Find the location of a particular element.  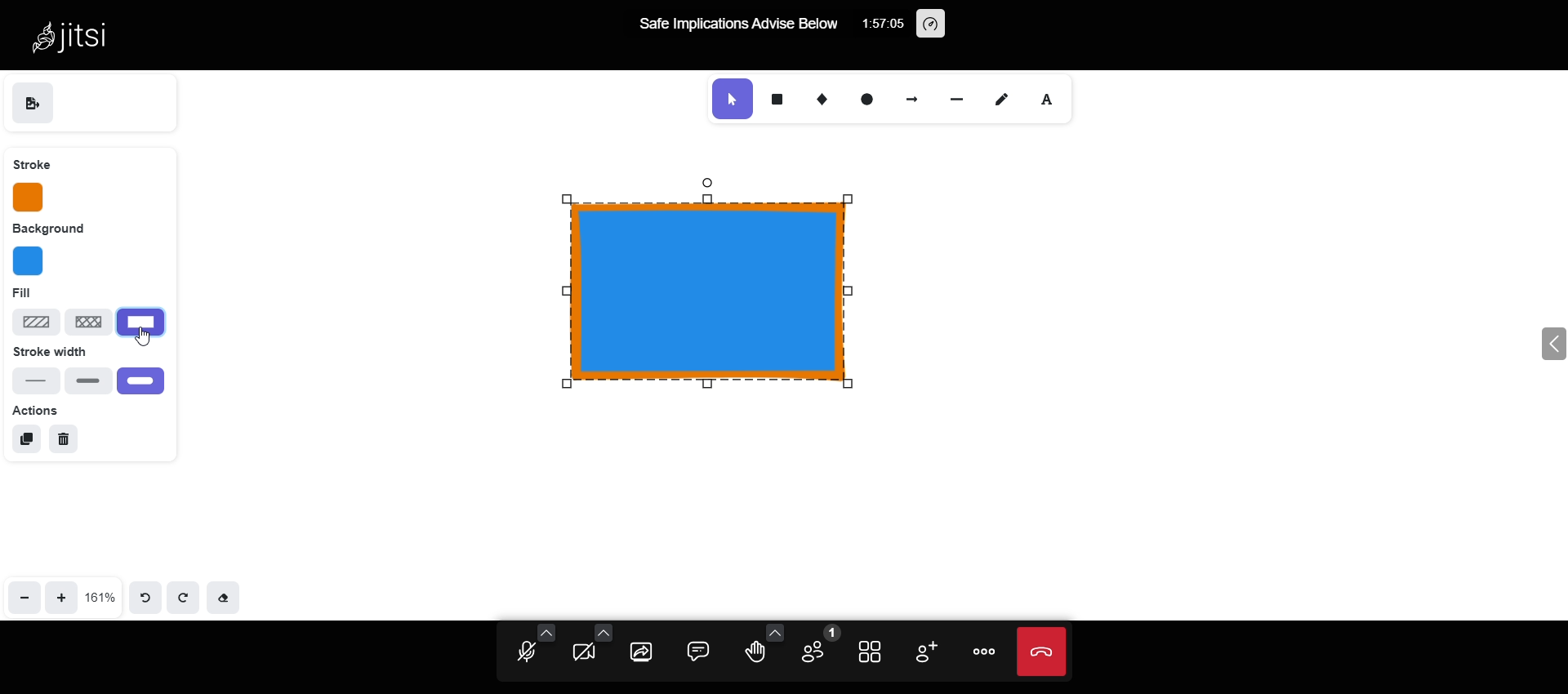

end call is located at coordinates (1039, 654).